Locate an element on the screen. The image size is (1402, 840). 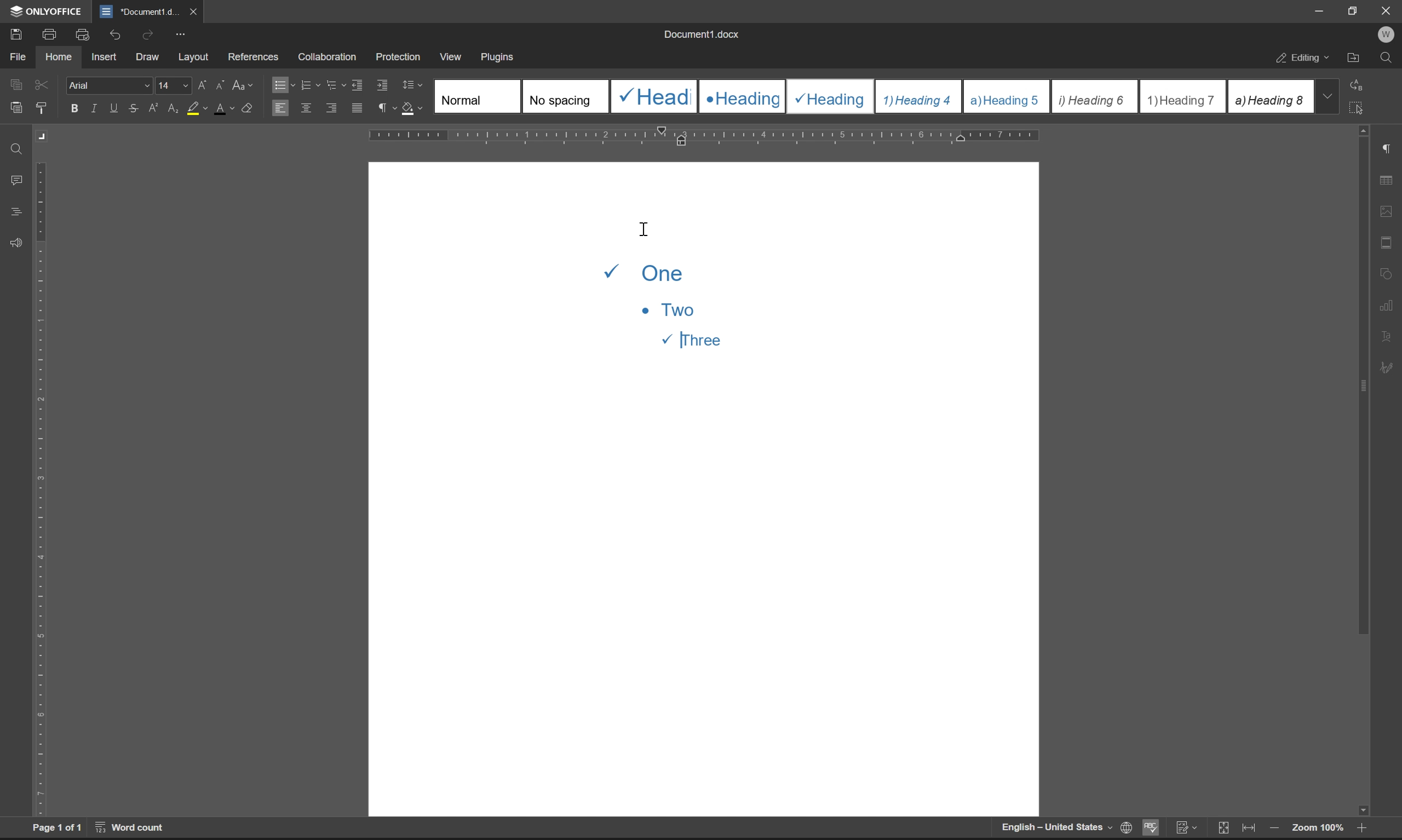
subscript is located at coordinates (174, 106).